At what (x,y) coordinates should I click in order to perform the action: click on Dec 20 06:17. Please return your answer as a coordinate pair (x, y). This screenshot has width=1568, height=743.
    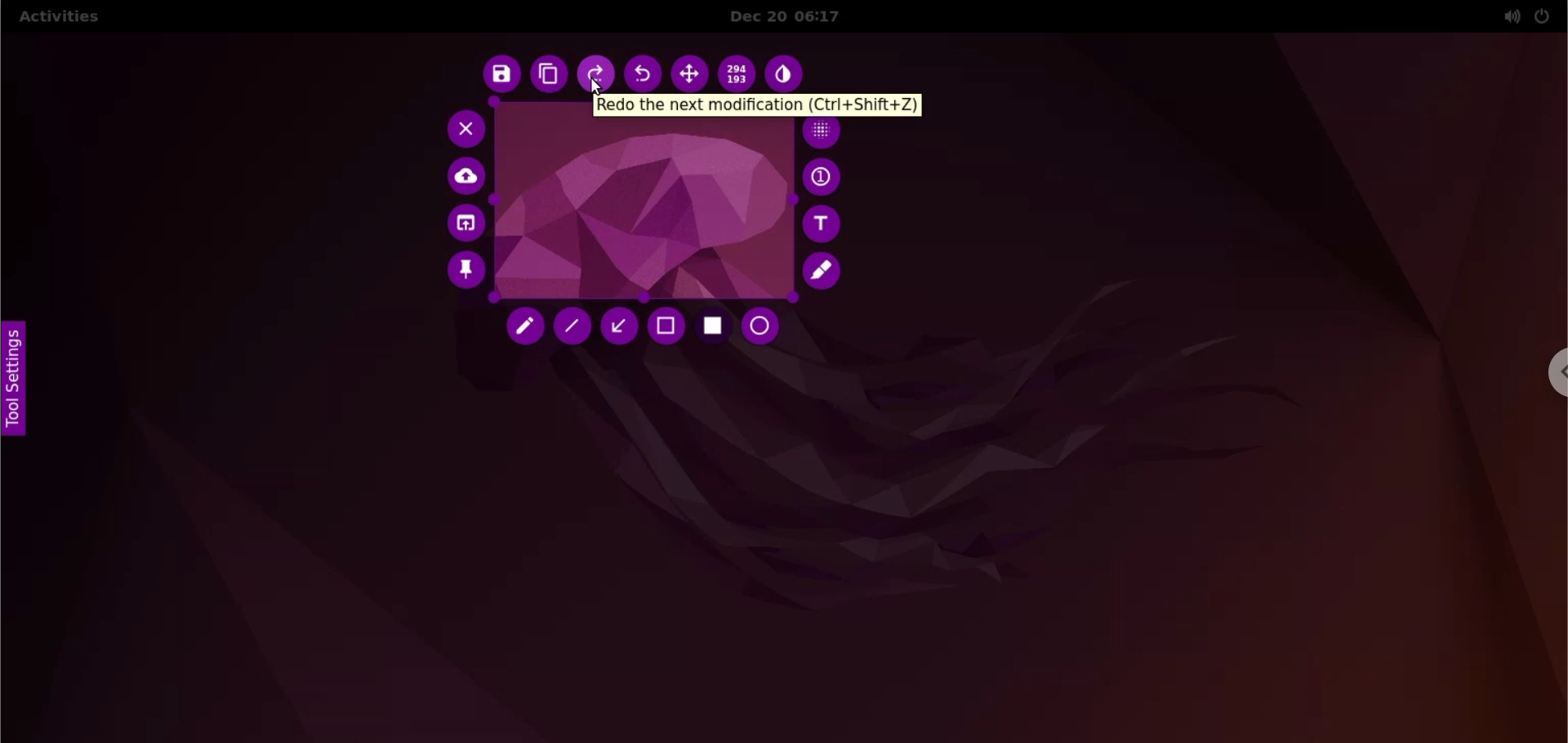
    Looking at the image, I should click on (797, 16).